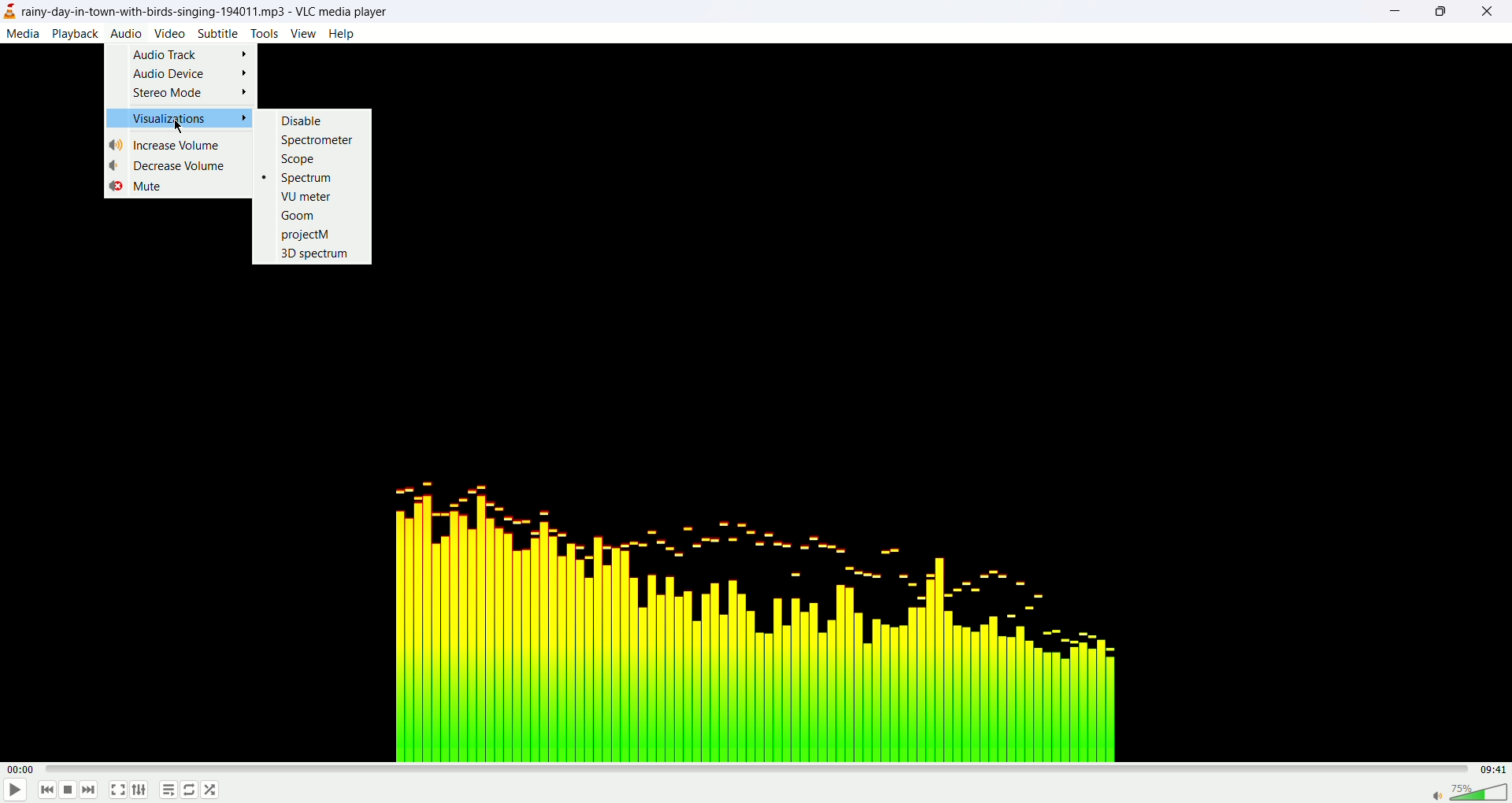  I want to click on played time, so click(24, 770).